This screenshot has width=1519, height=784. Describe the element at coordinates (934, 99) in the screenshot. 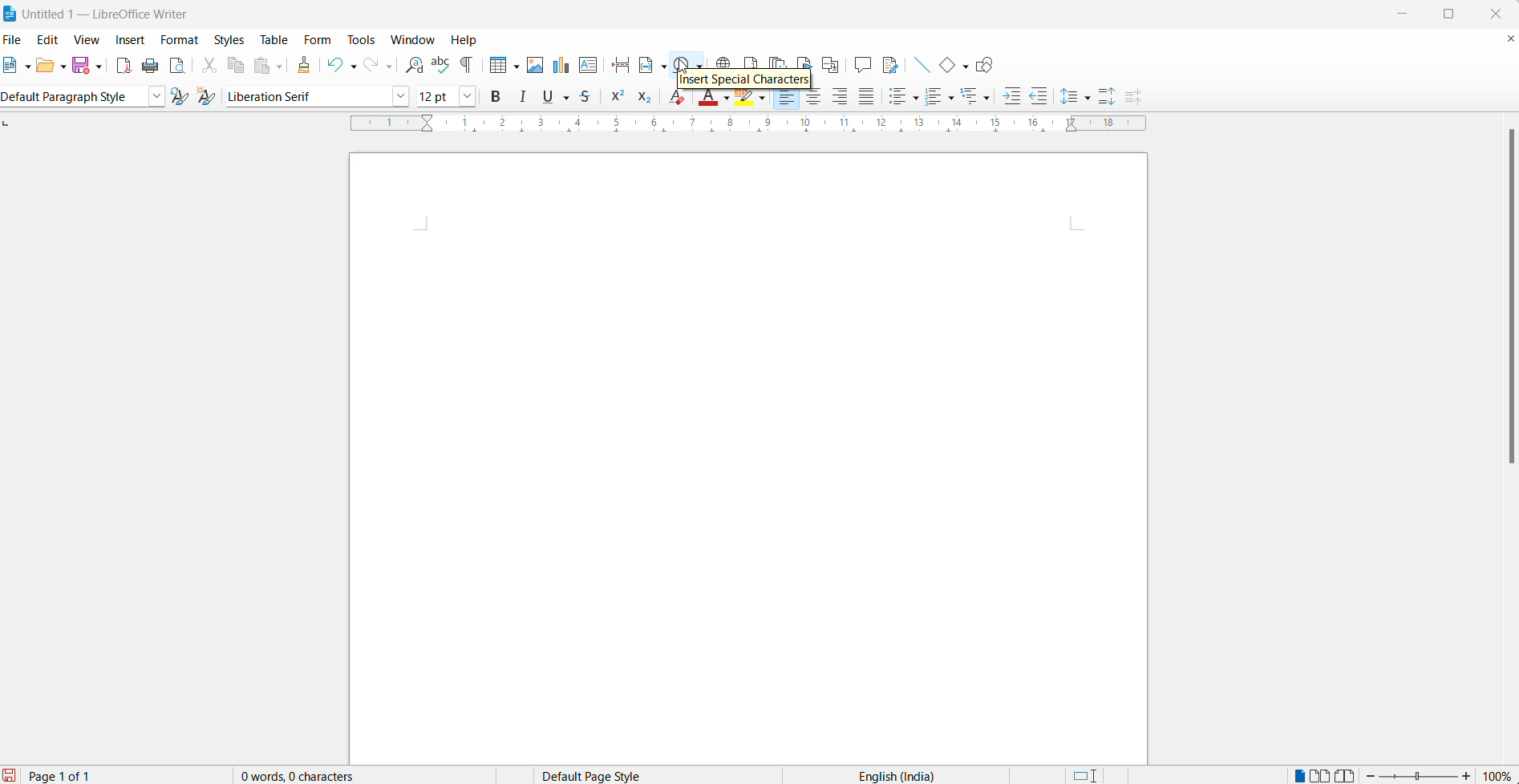

I see `toggle ordered list` at that location.